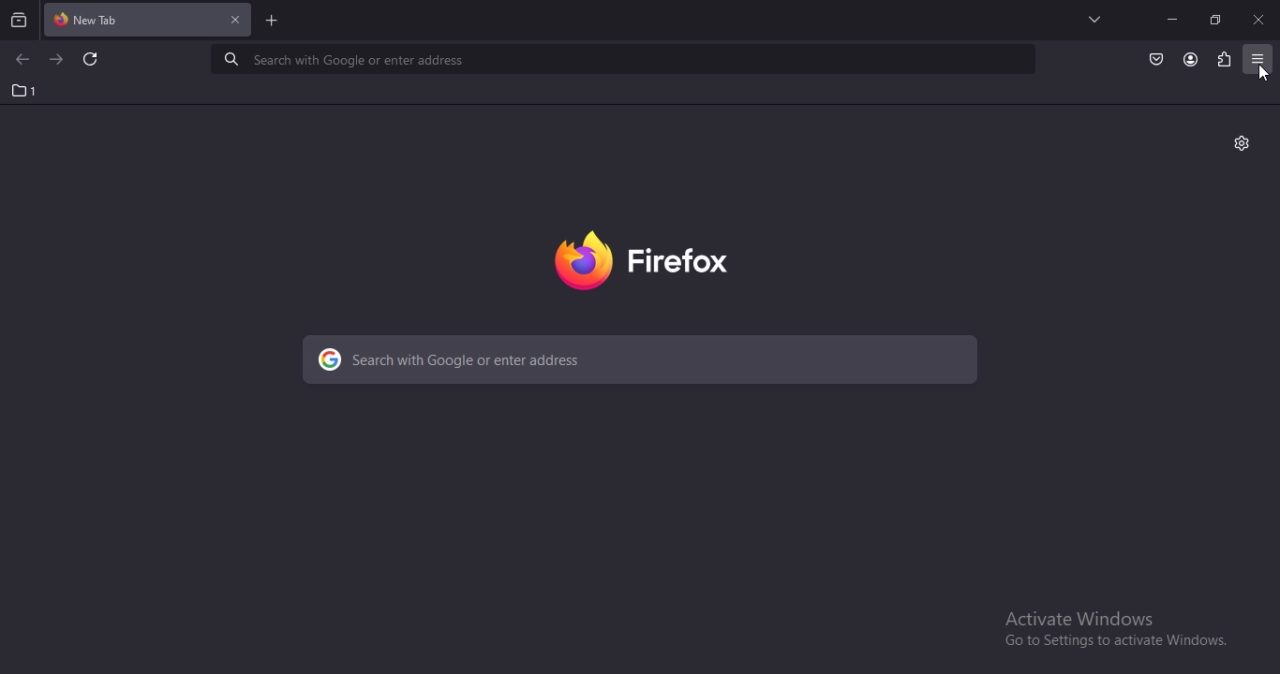 This screenshot has width=1280, height=674. I want to click on cursor, so click(1264, 74).